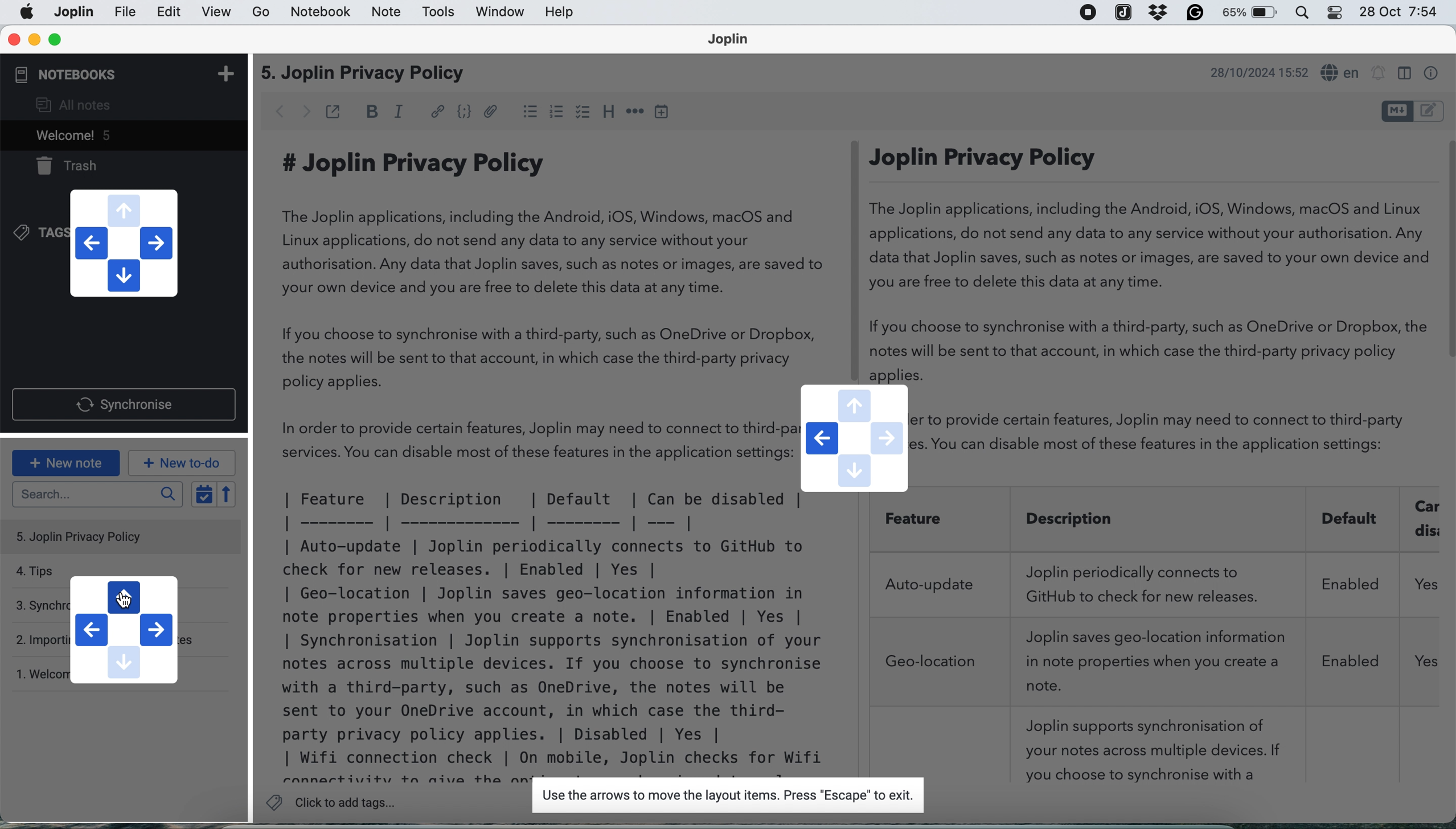 The height and width of the screenshot is (829, 1456). I want to click on tools, so click(439, 13).